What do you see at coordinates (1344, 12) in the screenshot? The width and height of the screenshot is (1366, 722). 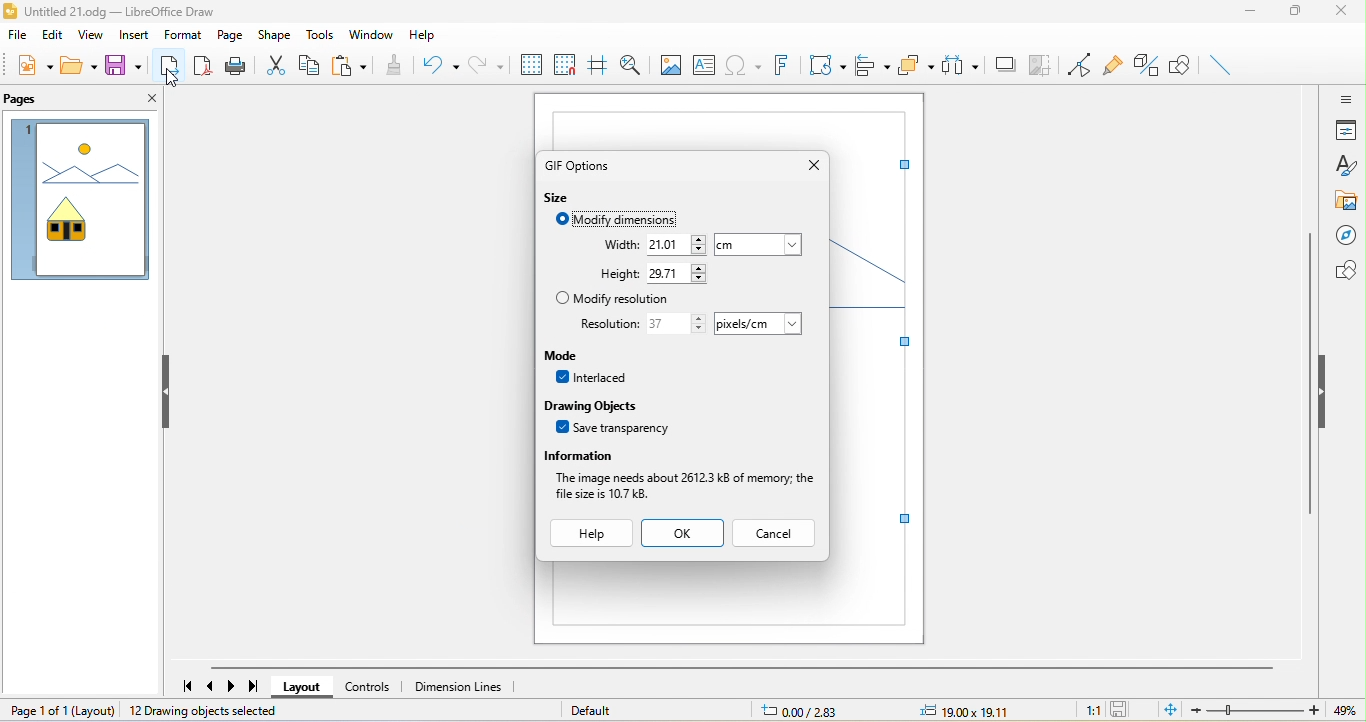 I see `close` at bounding box center [1344, 12].